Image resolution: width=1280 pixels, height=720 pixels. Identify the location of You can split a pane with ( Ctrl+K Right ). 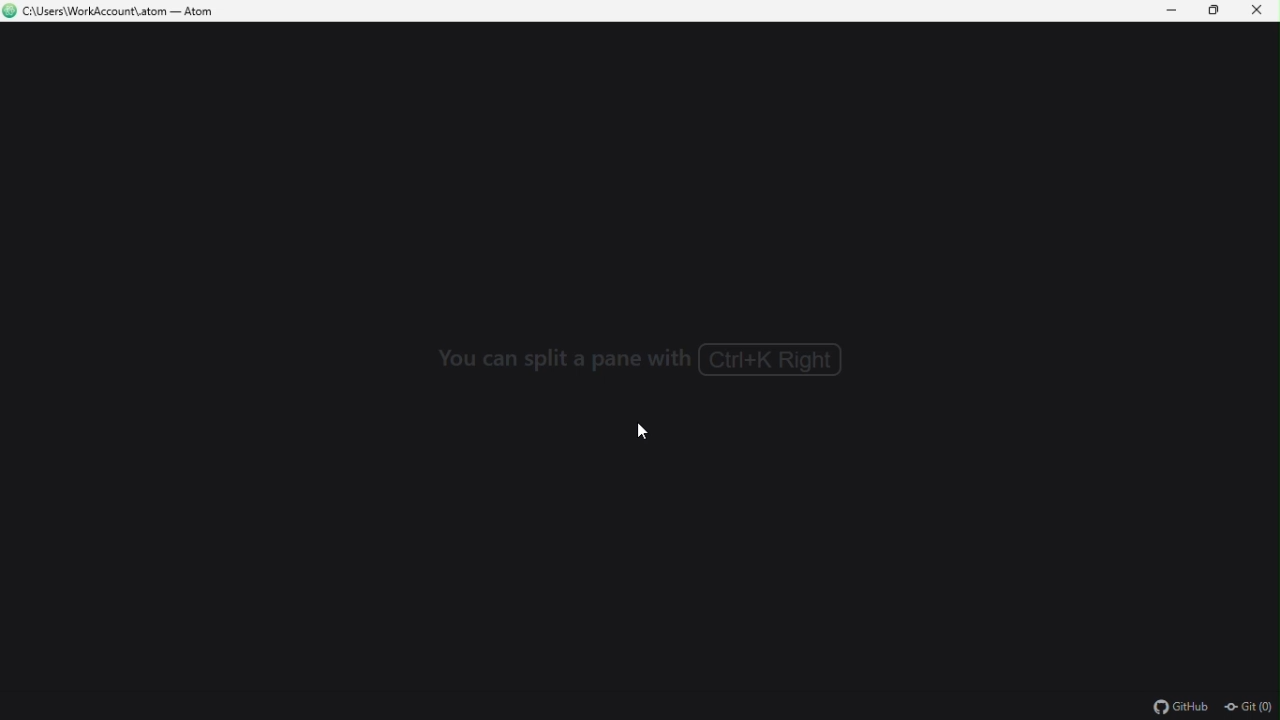
(642, 361).